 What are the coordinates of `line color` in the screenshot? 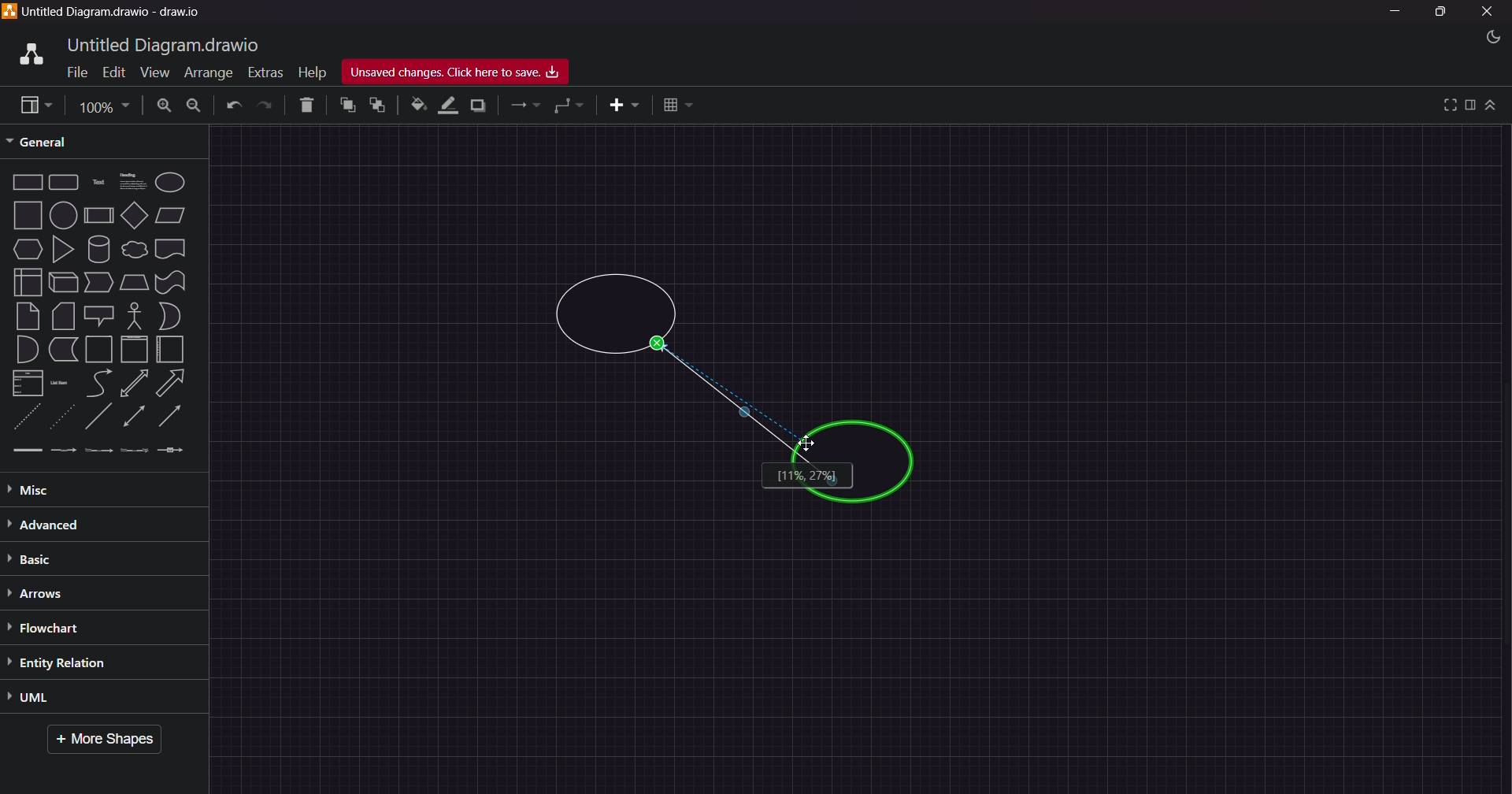 It's located at (448, 105).